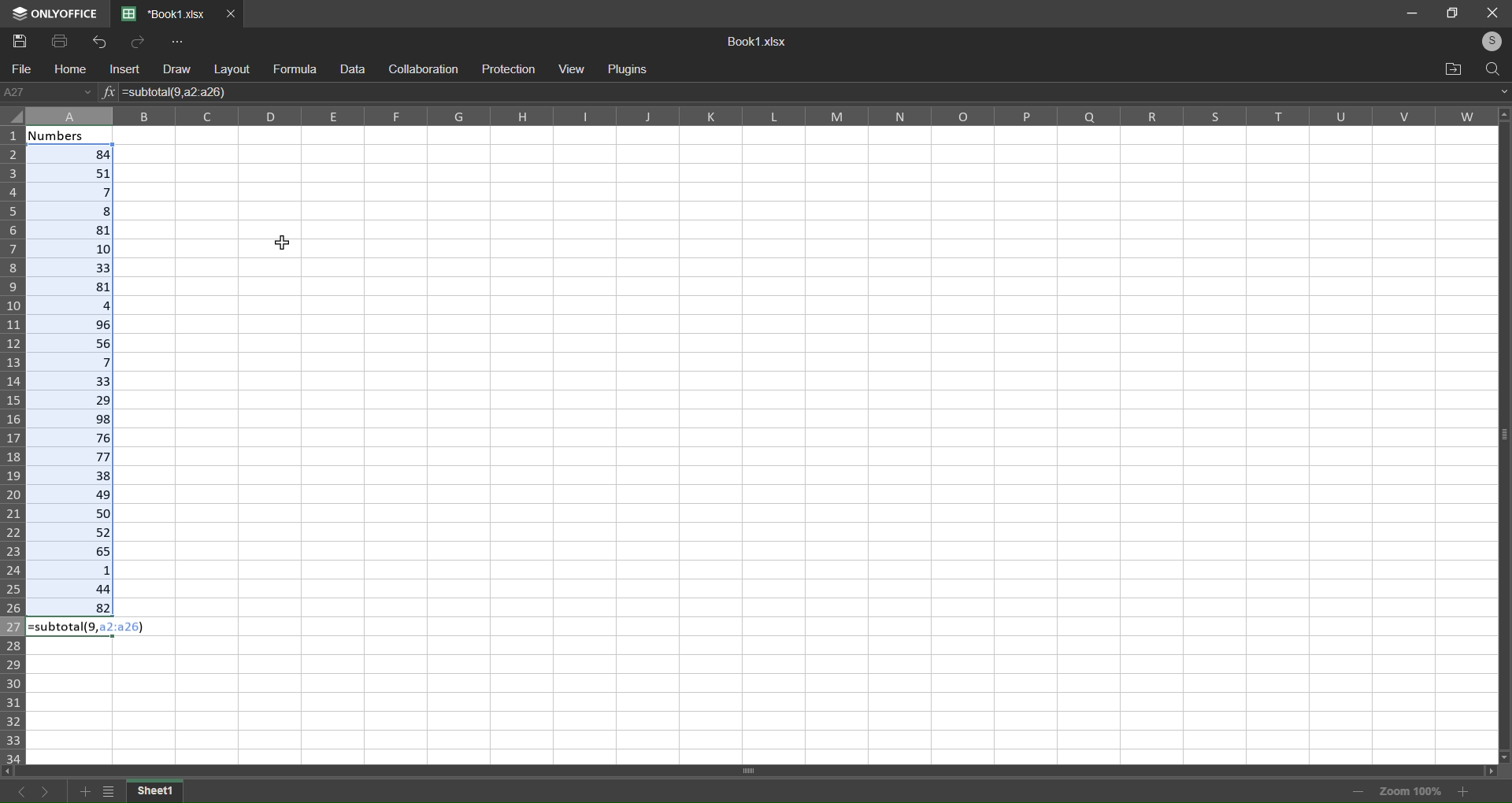  I want to click on *Book1.xlsx, so click(165, 14).